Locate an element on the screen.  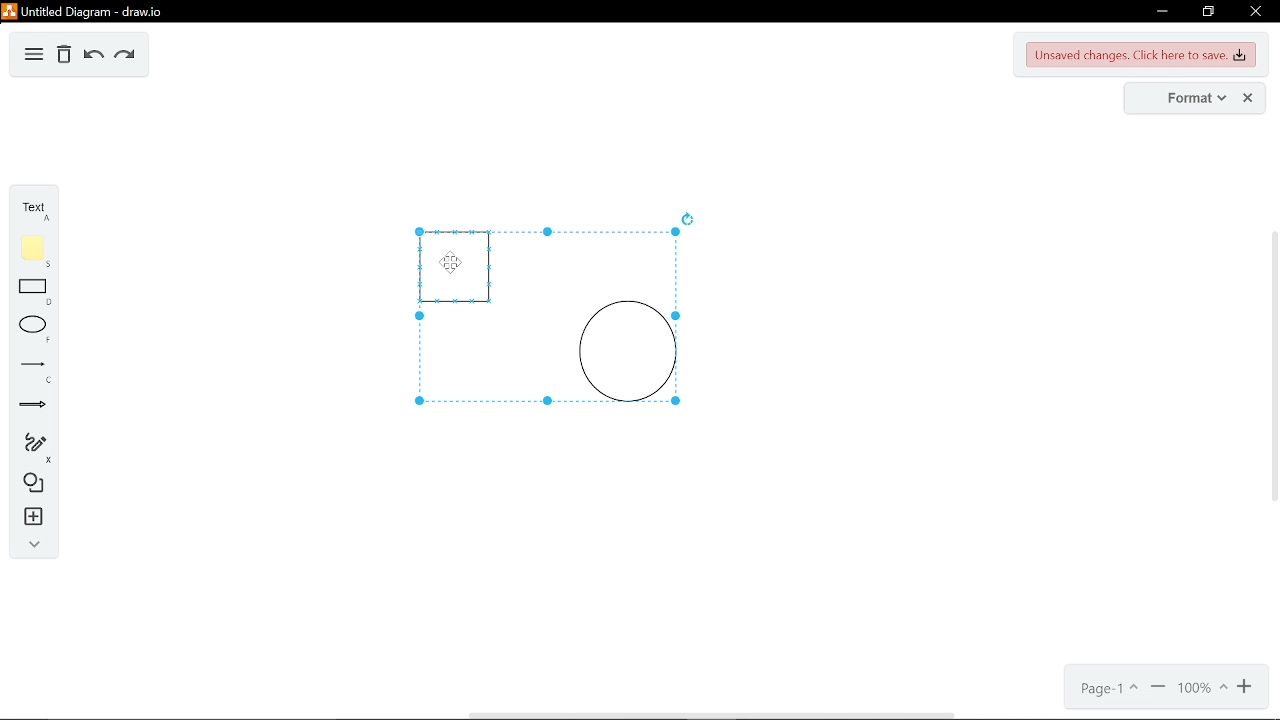
freehand is located at coordinates (31, 448).